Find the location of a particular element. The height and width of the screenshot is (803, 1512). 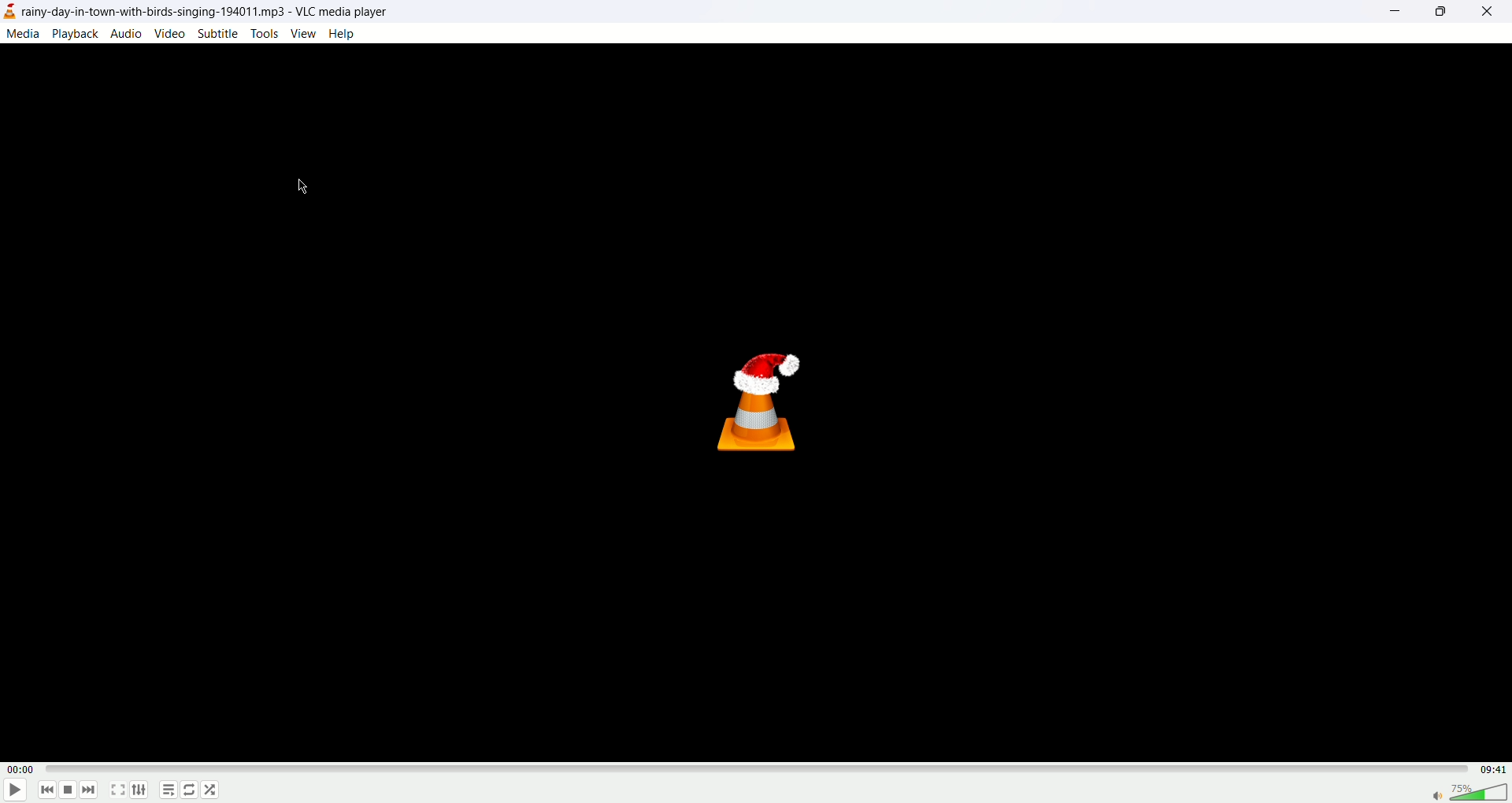

tools is located at coordinates (264, 34).